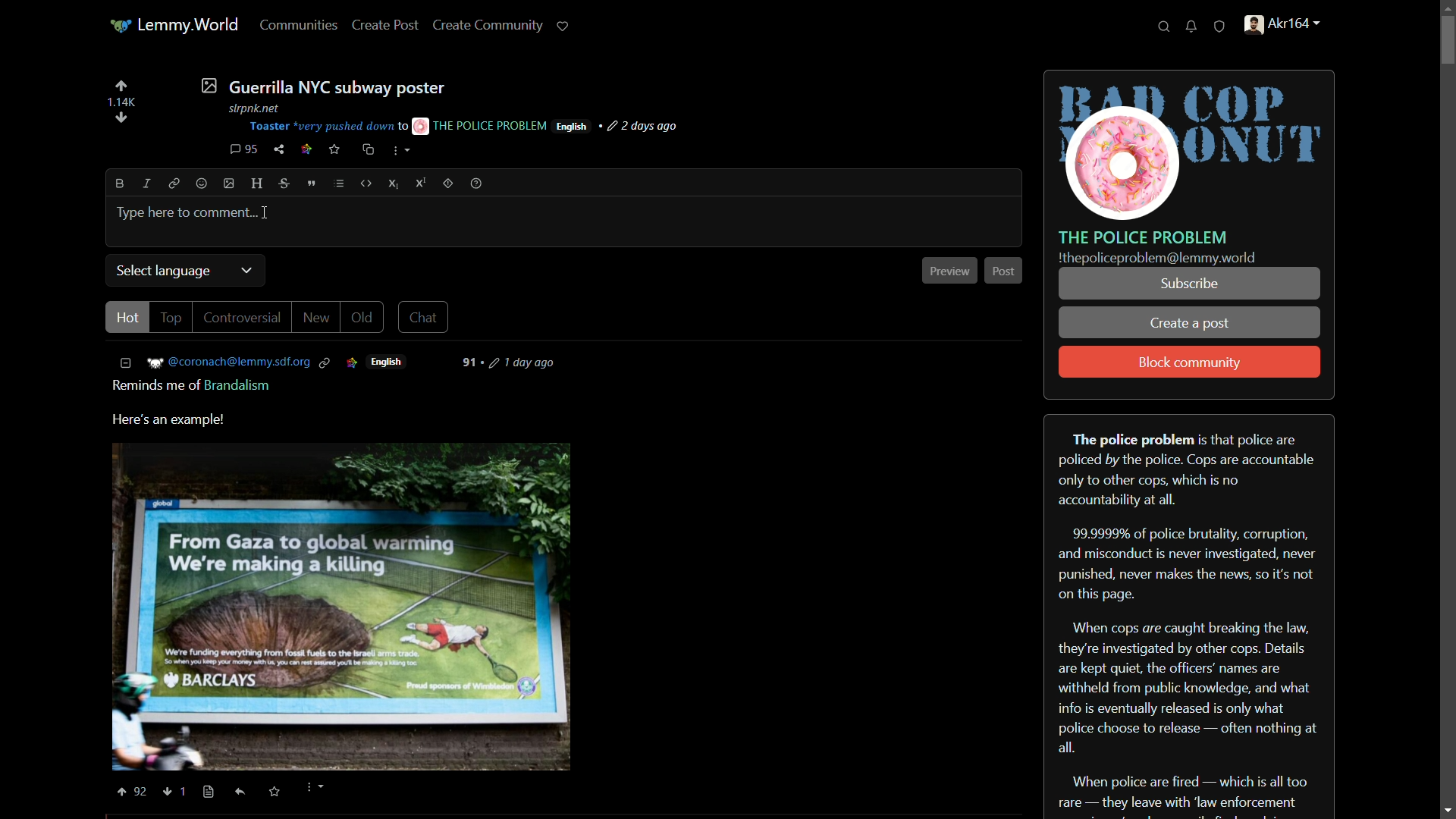 Image resolution: width=1456 pixels, height=819 pixels. What do you see at coordinates (1193, 27) in the screenshot?
I see `unread notifications` at bounding box center [1193, 27].